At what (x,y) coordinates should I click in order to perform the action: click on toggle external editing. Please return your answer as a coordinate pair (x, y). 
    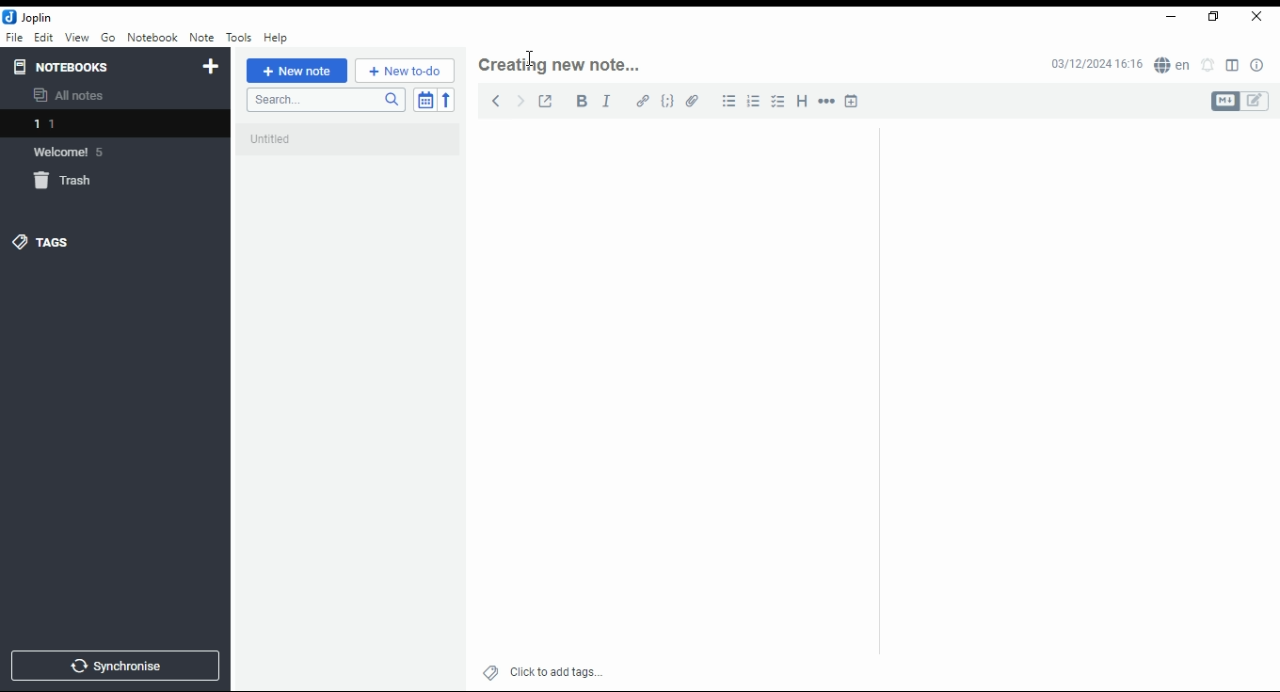
    Looking at the image, I should click on (546, 100).